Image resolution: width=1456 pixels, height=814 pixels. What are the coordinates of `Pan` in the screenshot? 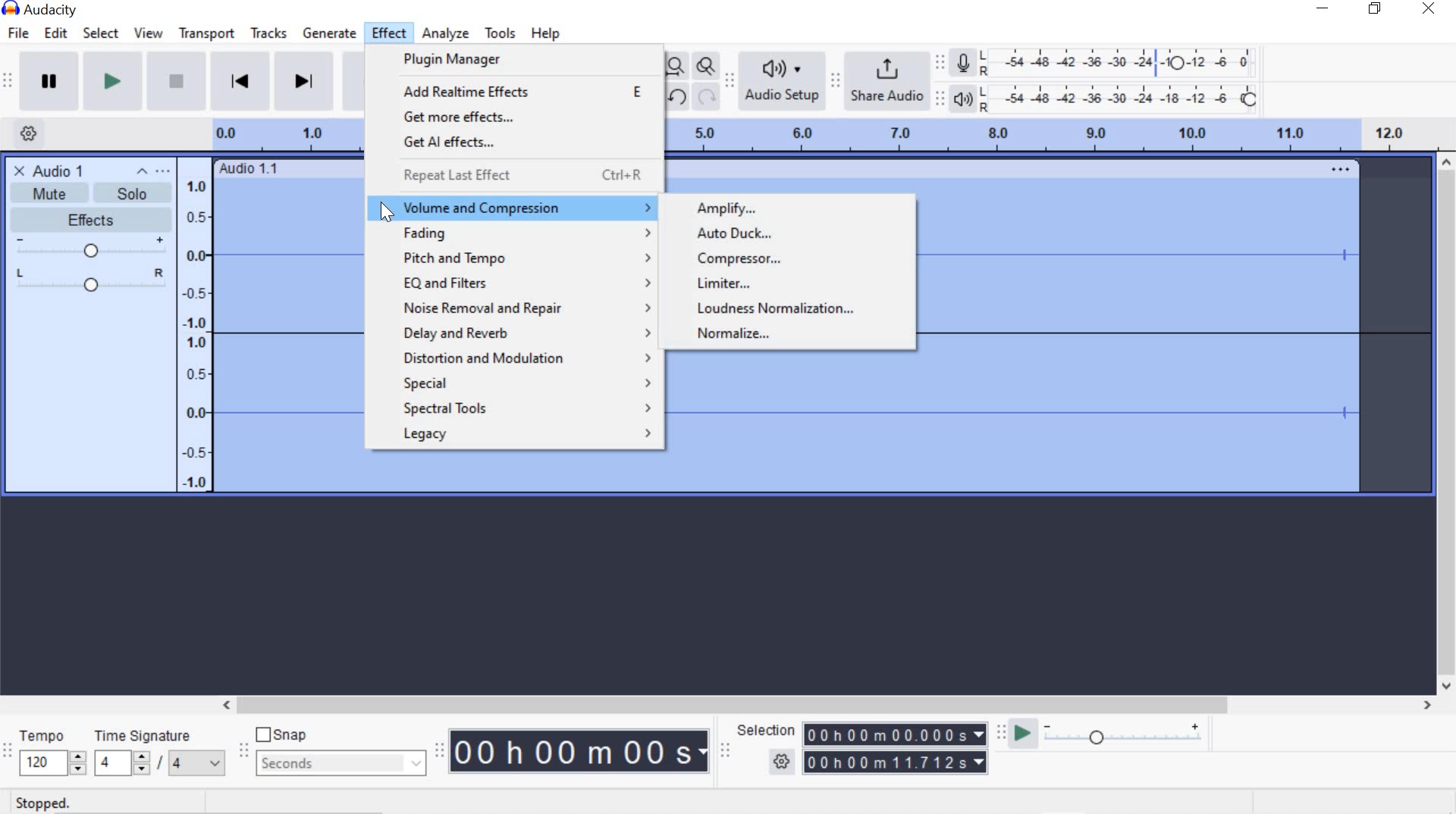 It's located at (89, 282).